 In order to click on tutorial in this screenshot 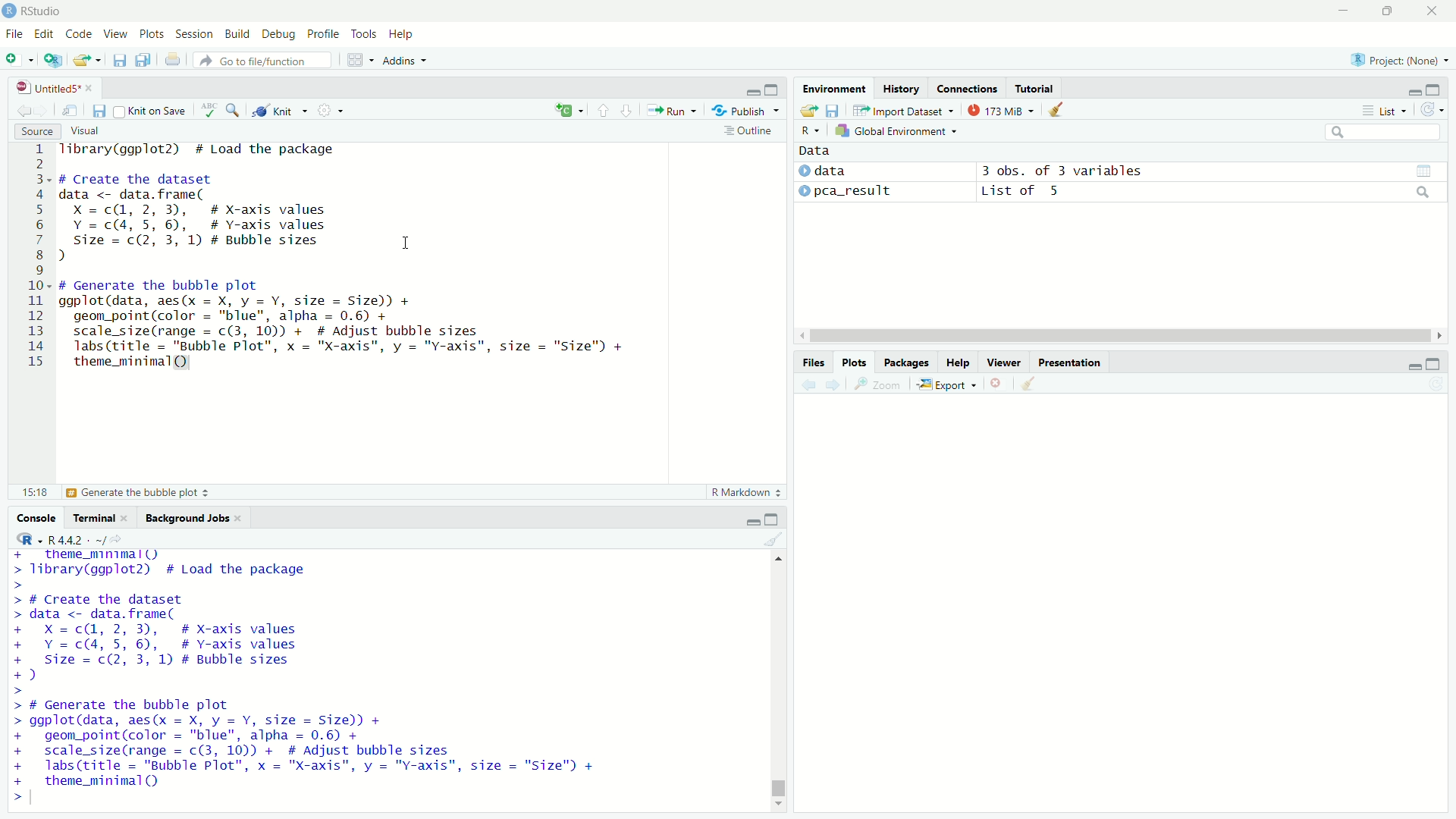, I will do `click(1036, 88)`.